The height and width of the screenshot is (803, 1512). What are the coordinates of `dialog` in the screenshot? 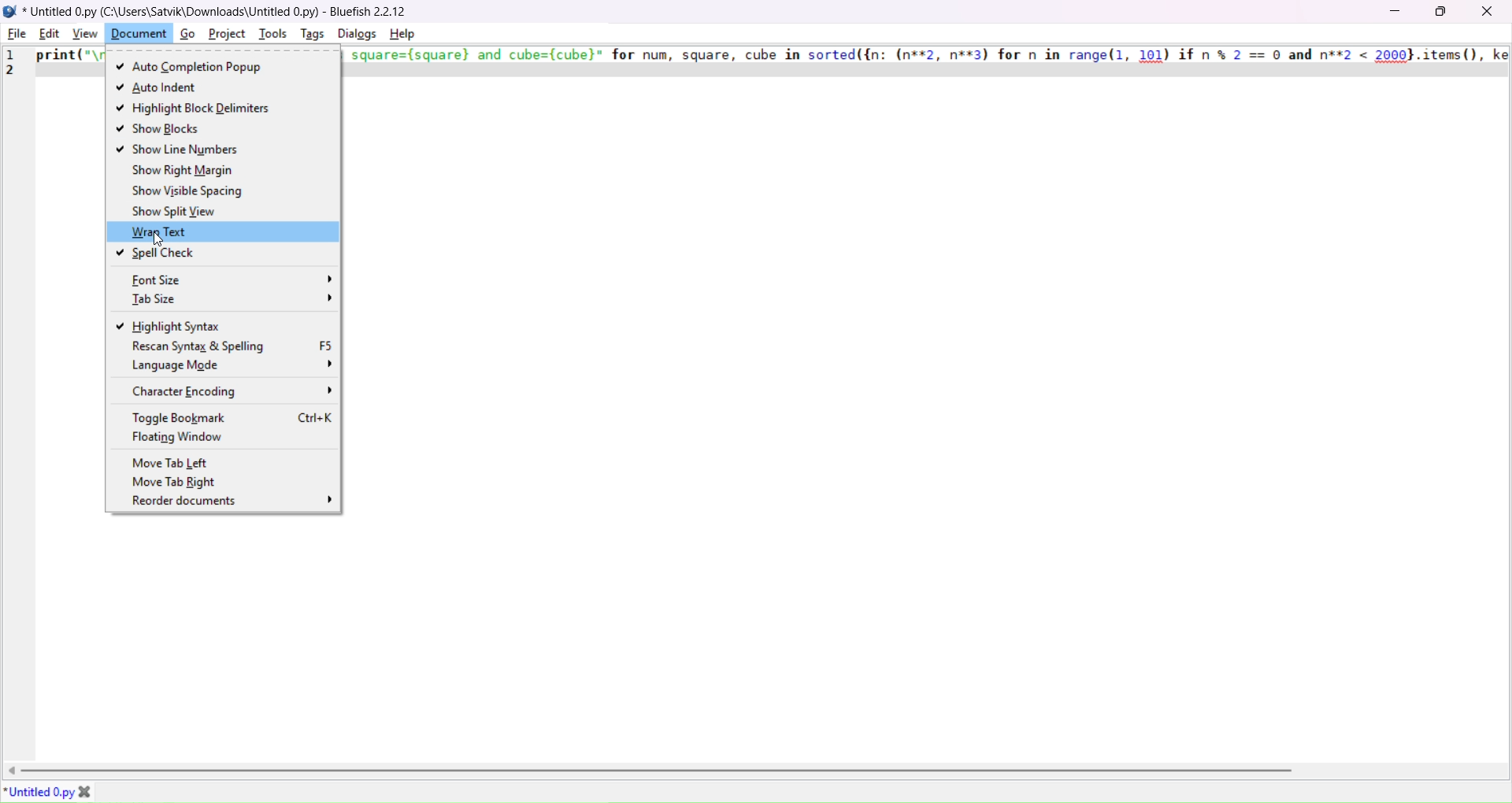 It's located at (356, 33).